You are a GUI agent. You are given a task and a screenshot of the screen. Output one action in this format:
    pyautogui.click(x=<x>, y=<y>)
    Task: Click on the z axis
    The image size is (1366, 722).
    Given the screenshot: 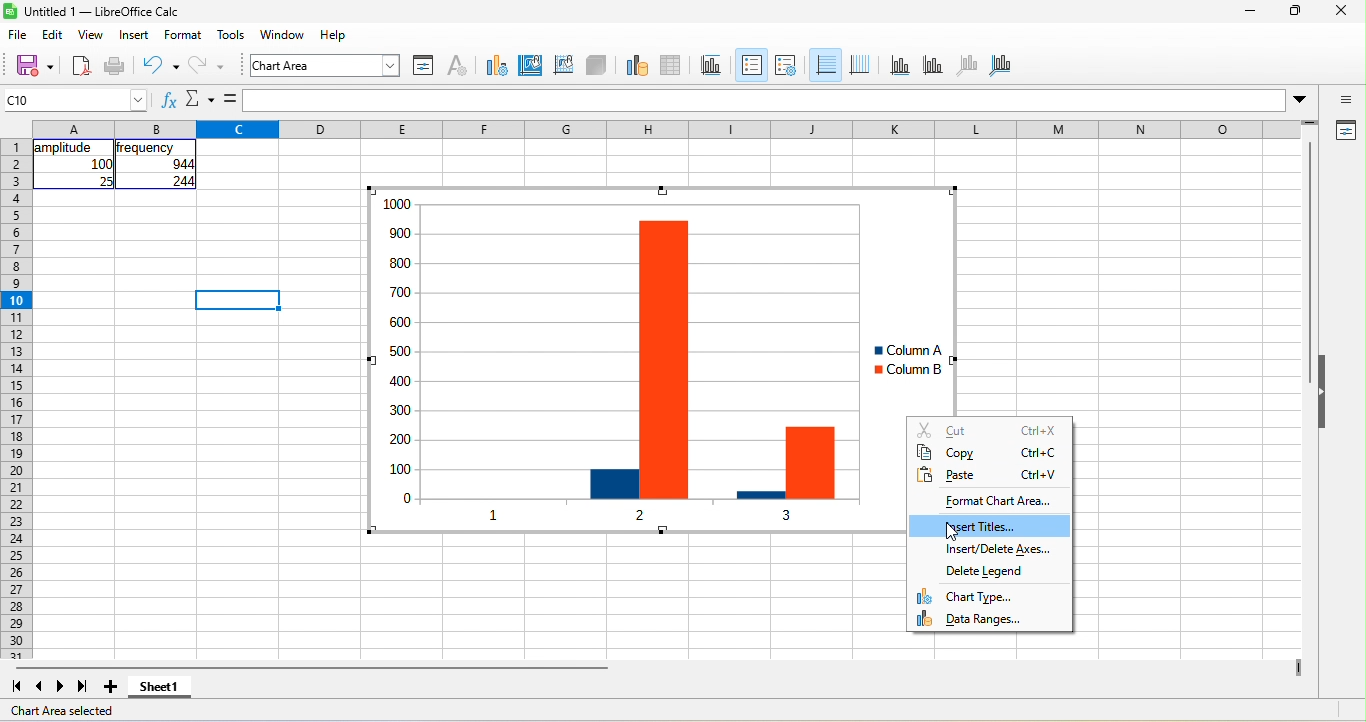 What is the action you would take?
    pyautogui.click(x=968, y=66)
    